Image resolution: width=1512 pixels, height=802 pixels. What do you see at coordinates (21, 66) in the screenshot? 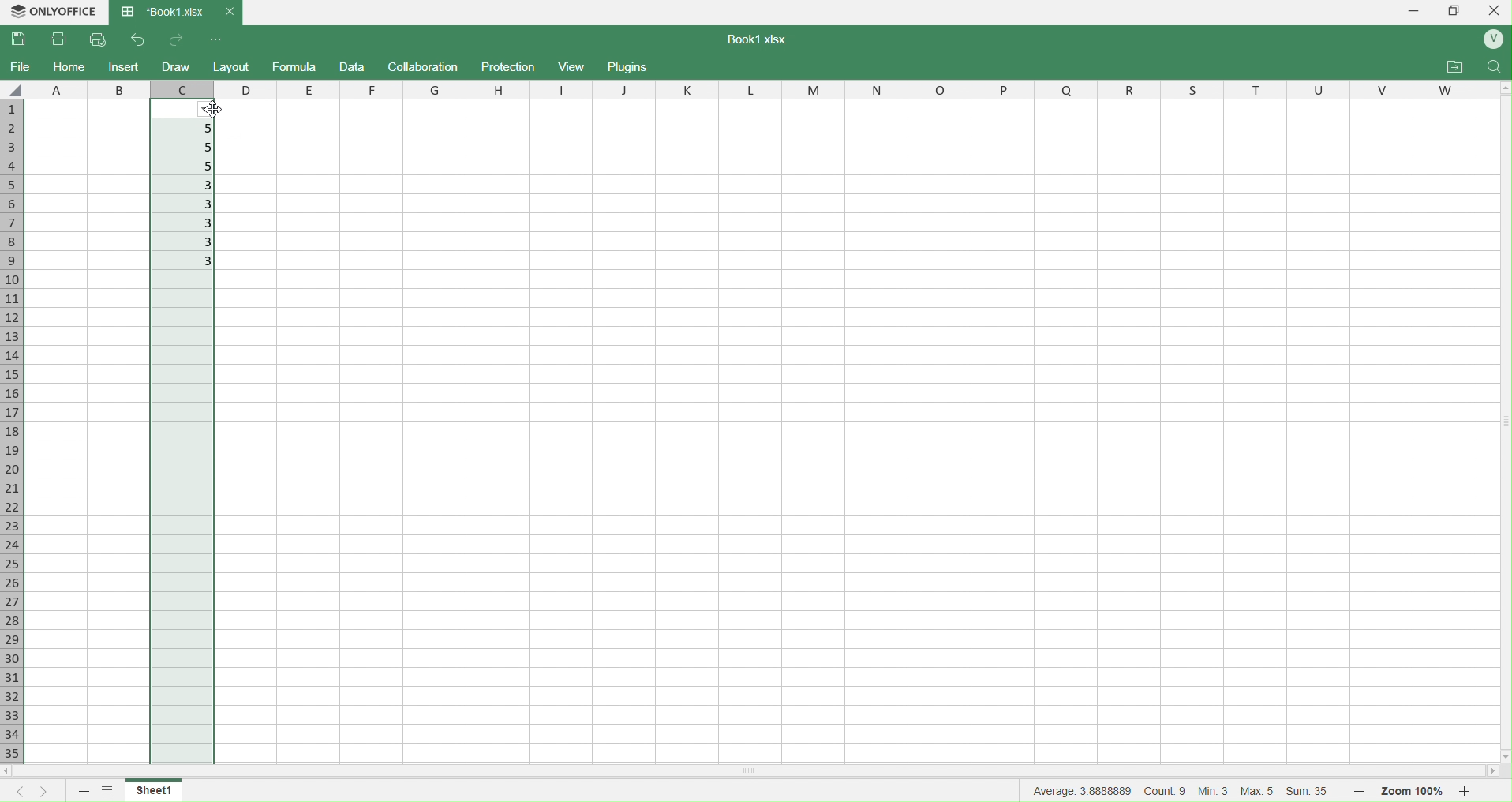
I see `File` at bounding box center [21, 66].